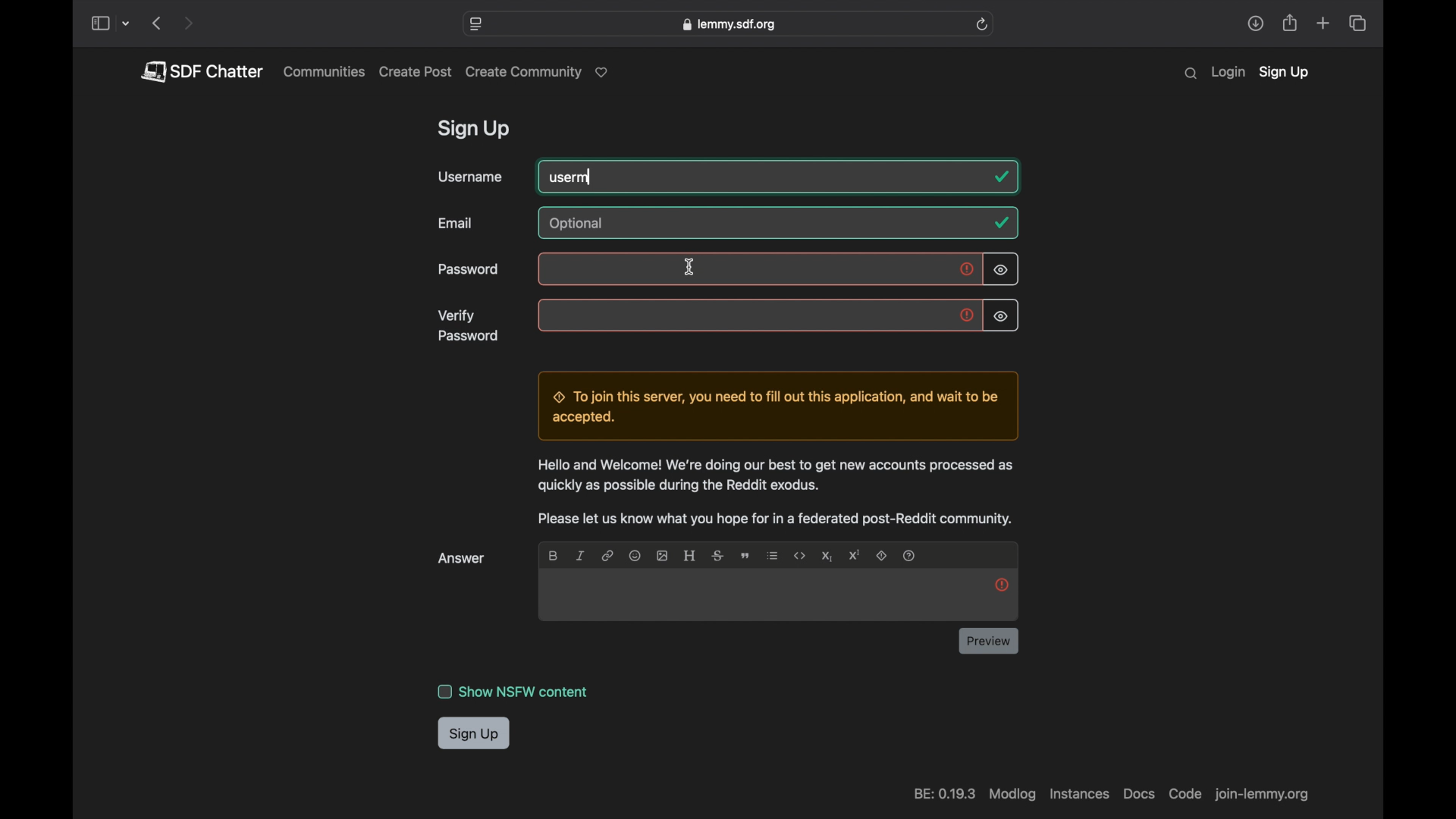 This screenshot has width=1456, height=819. Describe the element at coordinates (1184, 794) in the screenshot. I see `code` at that location.